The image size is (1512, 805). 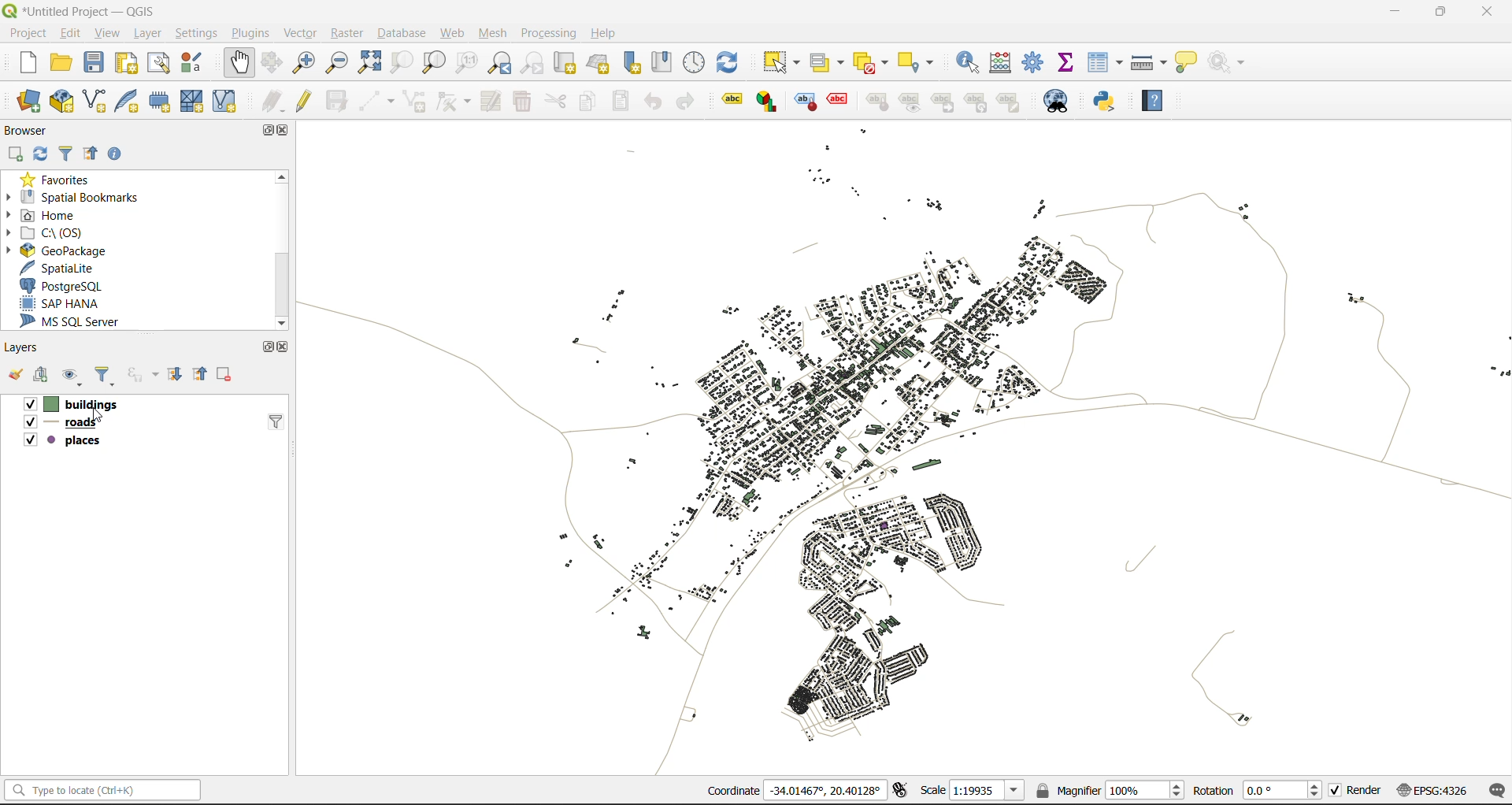 I want to click on collapse all, so click(x=91, y=152).